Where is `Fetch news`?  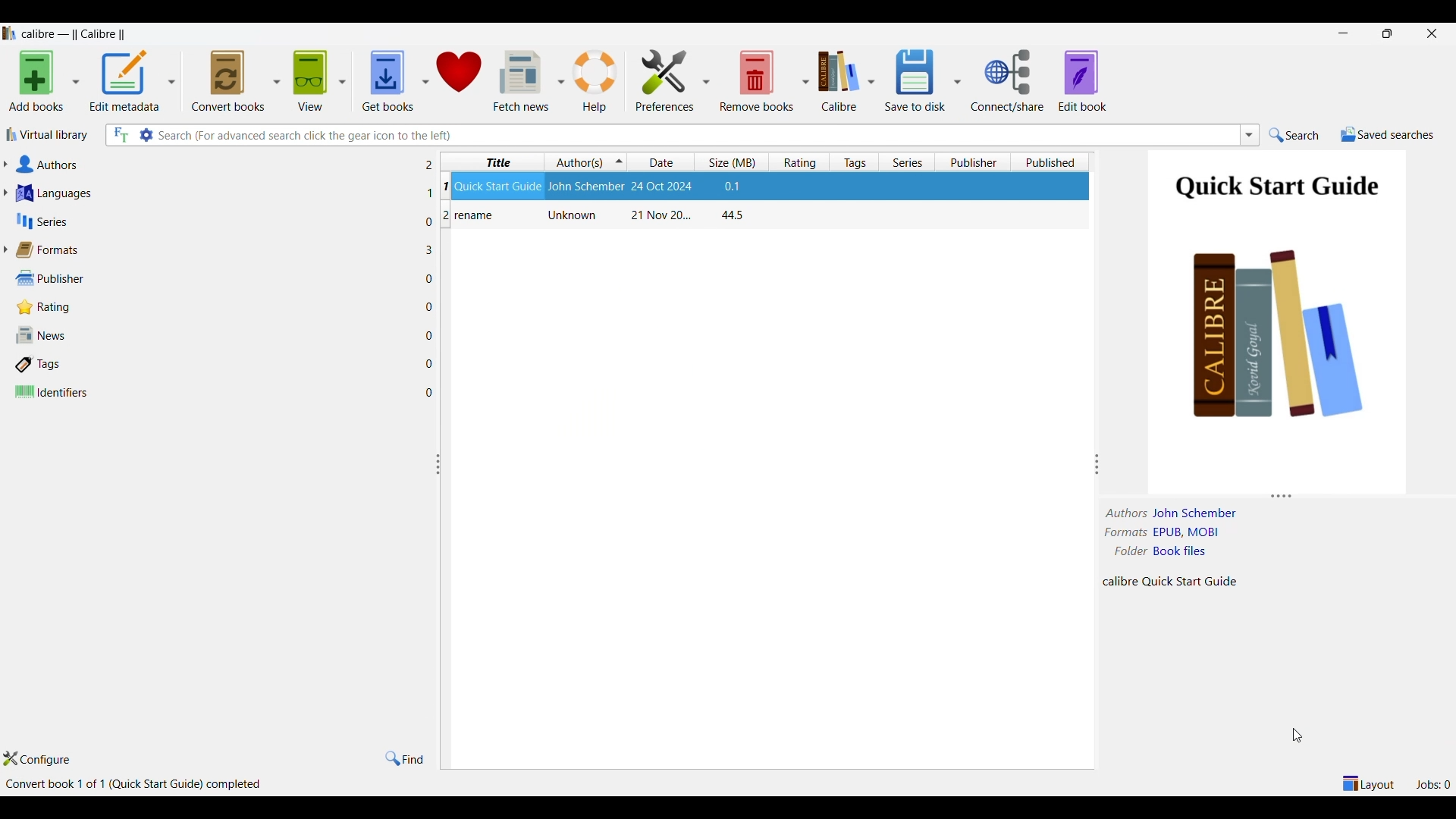 Fetch news is located at coordinates (521, 80).